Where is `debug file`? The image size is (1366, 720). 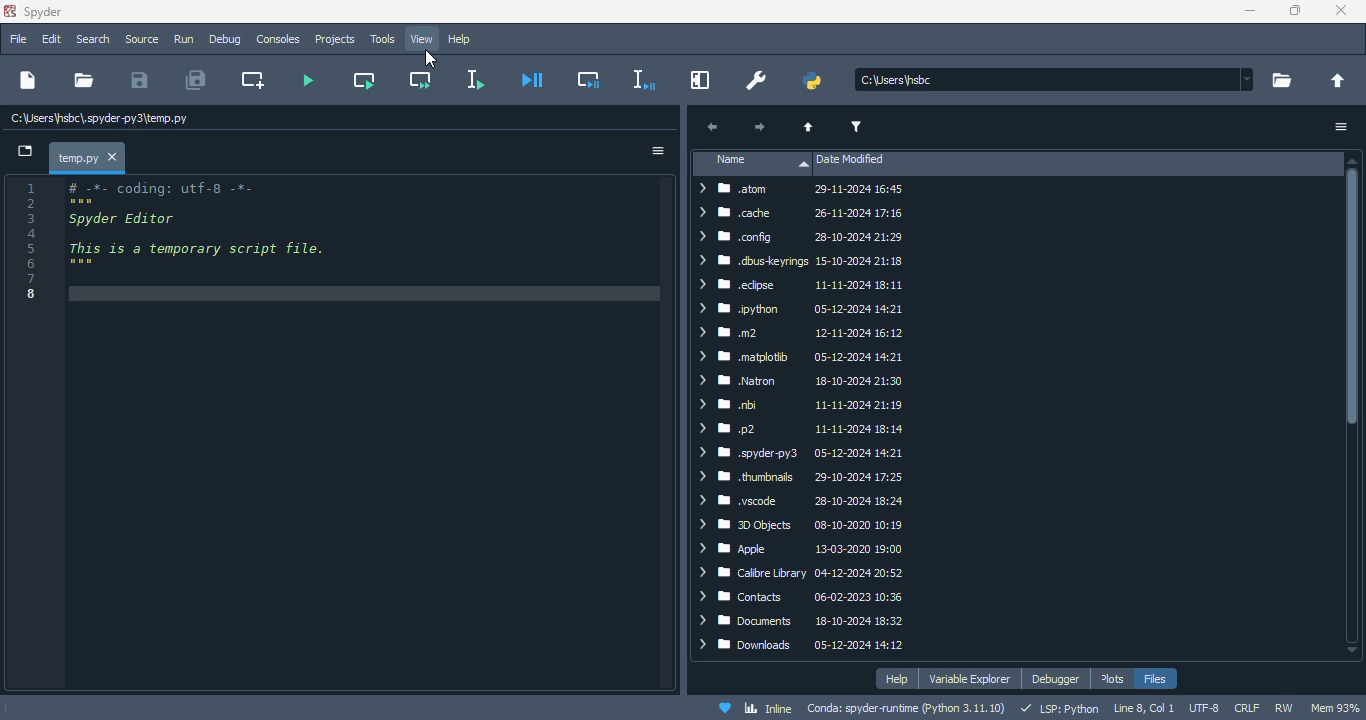 debug file is located at coordinates (533, 80).